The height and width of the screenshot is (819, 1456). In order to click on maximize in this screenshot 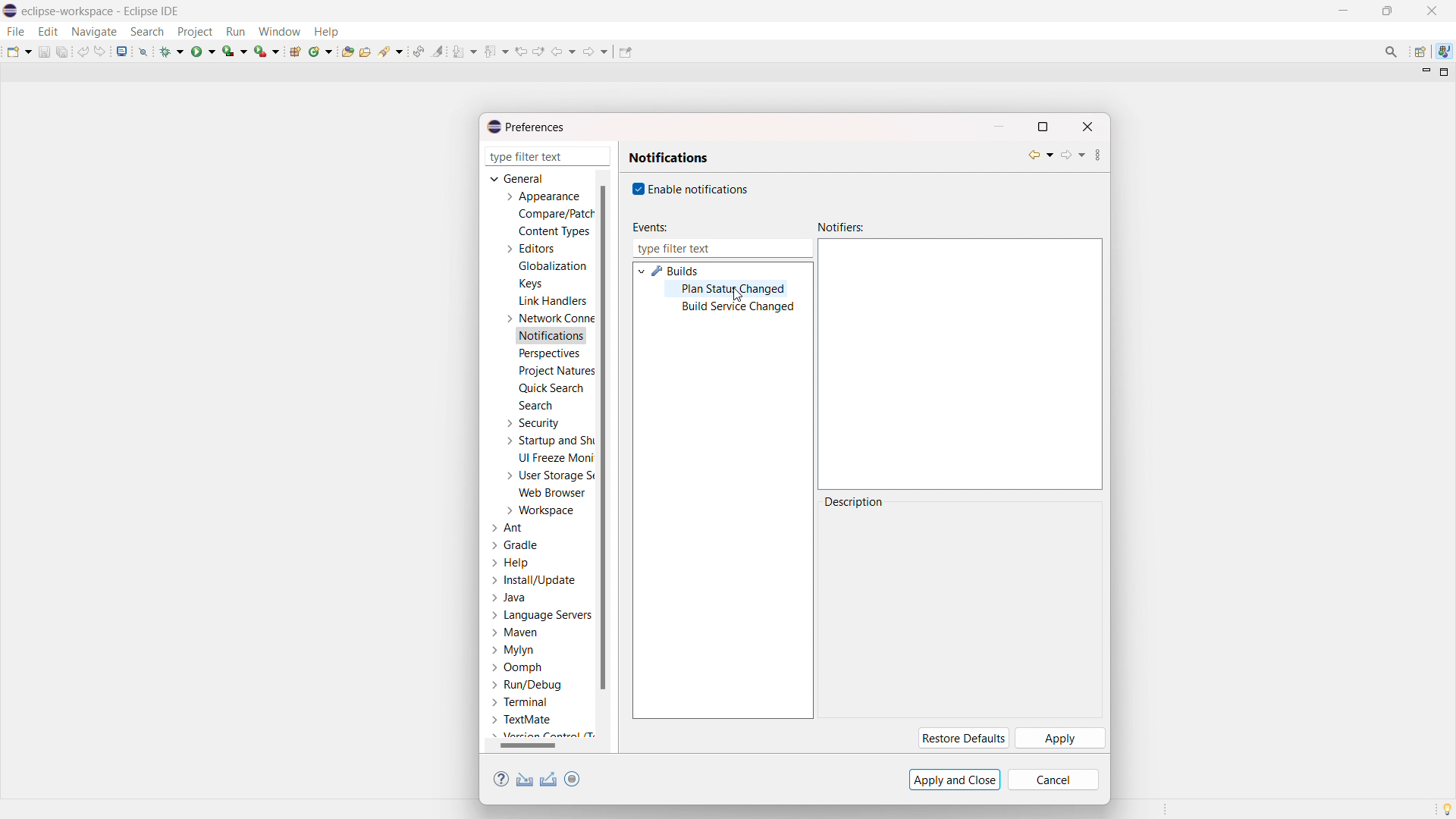, I will do `click(1387, 11)`.